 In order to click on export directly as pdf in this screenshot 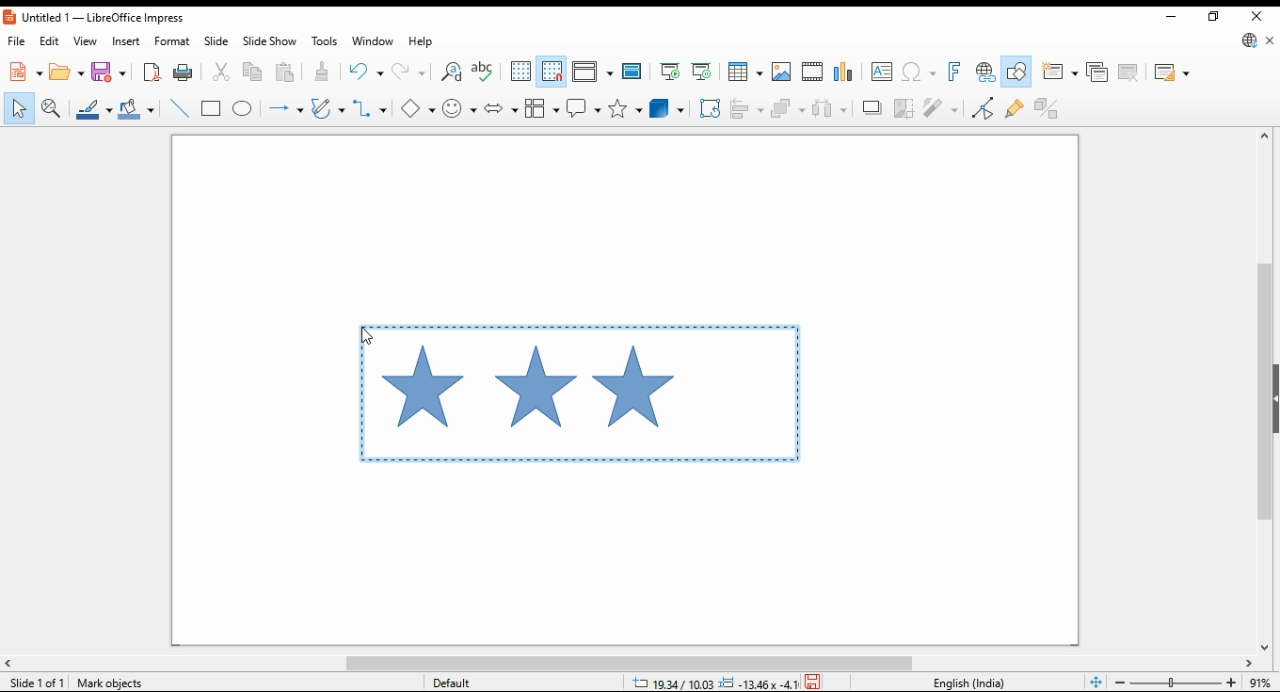, I will do `click(151, 72)`.